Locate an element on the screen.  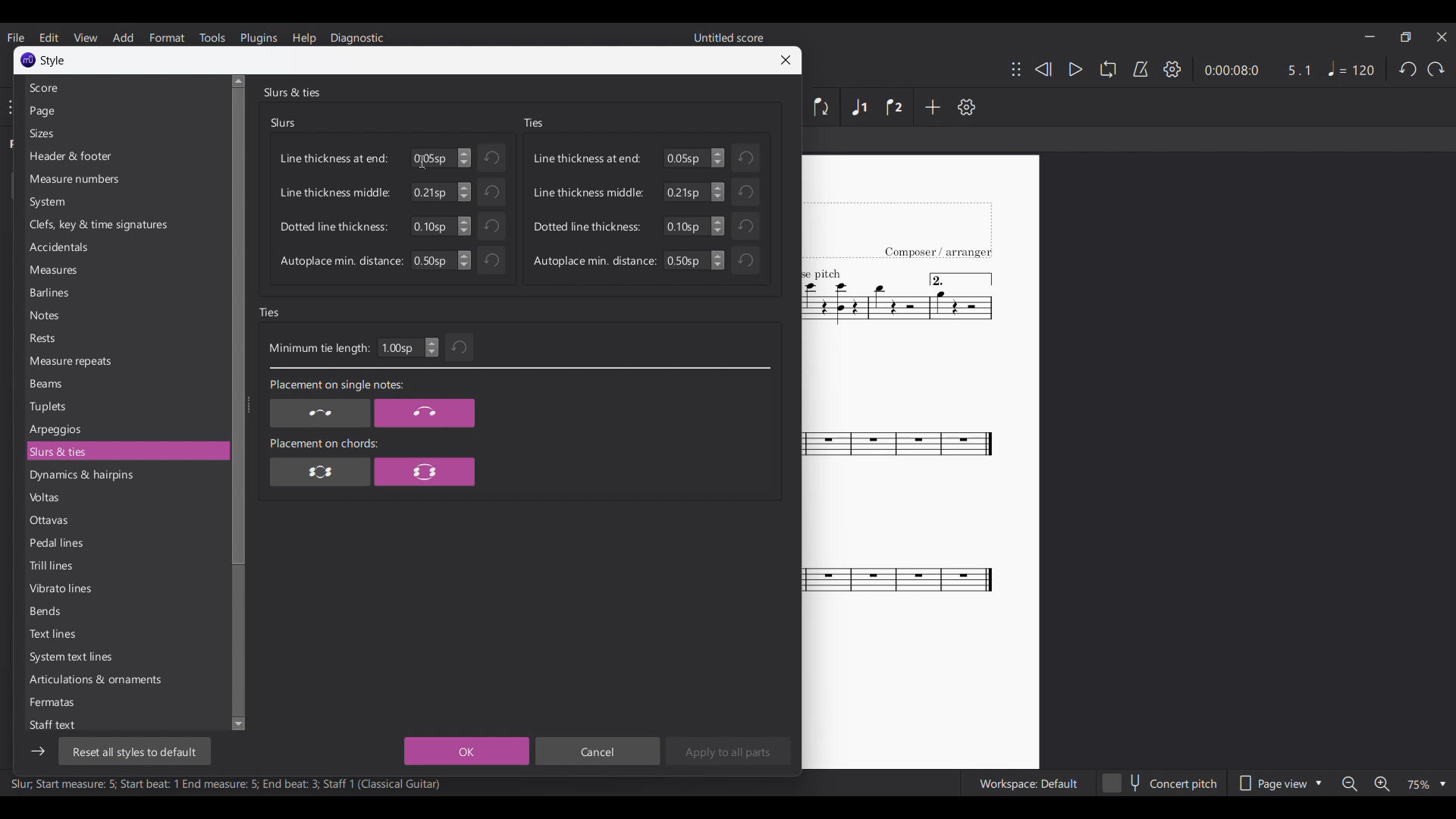
Undo is located at coordinates (460, 347).